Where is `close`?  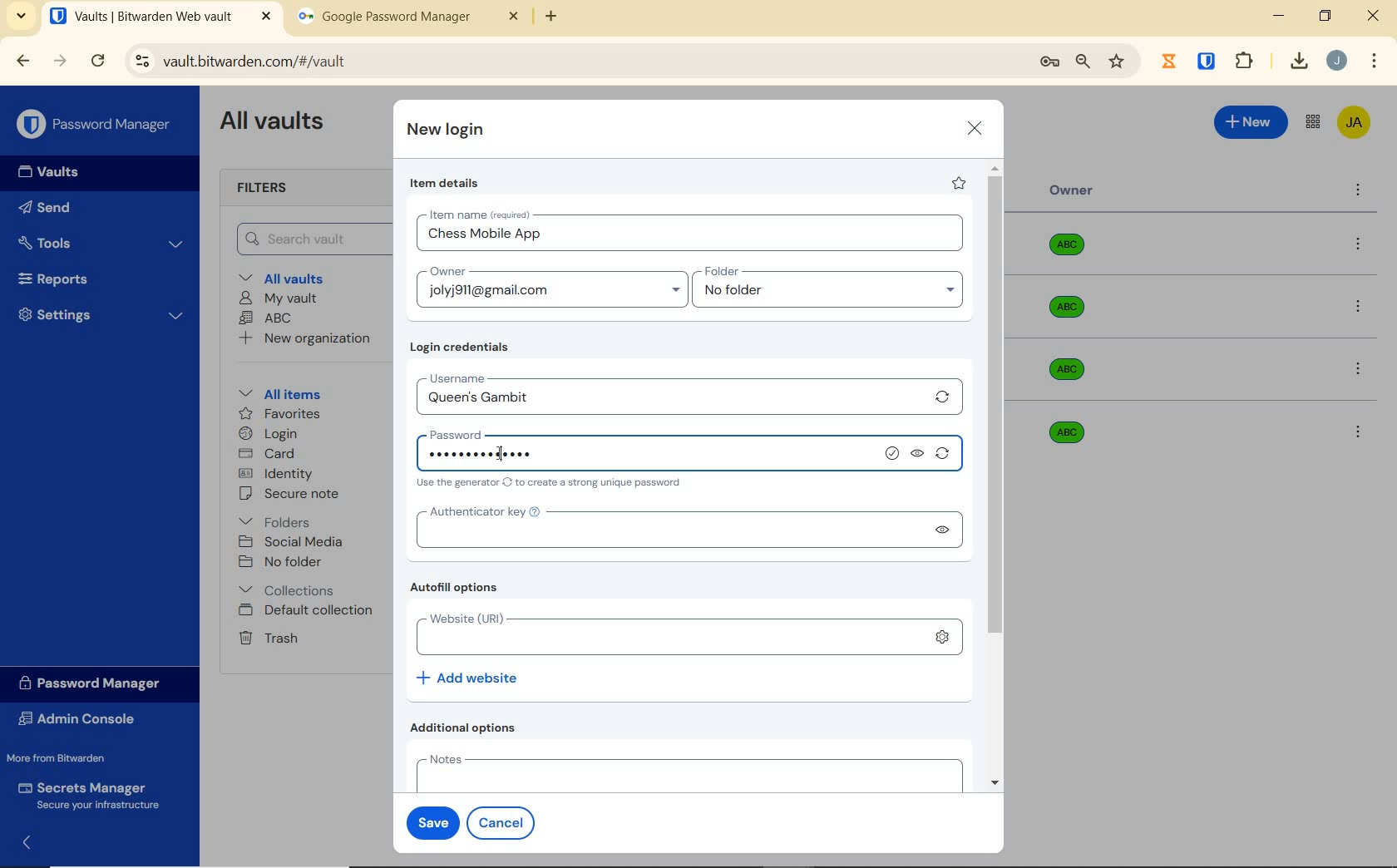 close is located at coordinates (975, 128).